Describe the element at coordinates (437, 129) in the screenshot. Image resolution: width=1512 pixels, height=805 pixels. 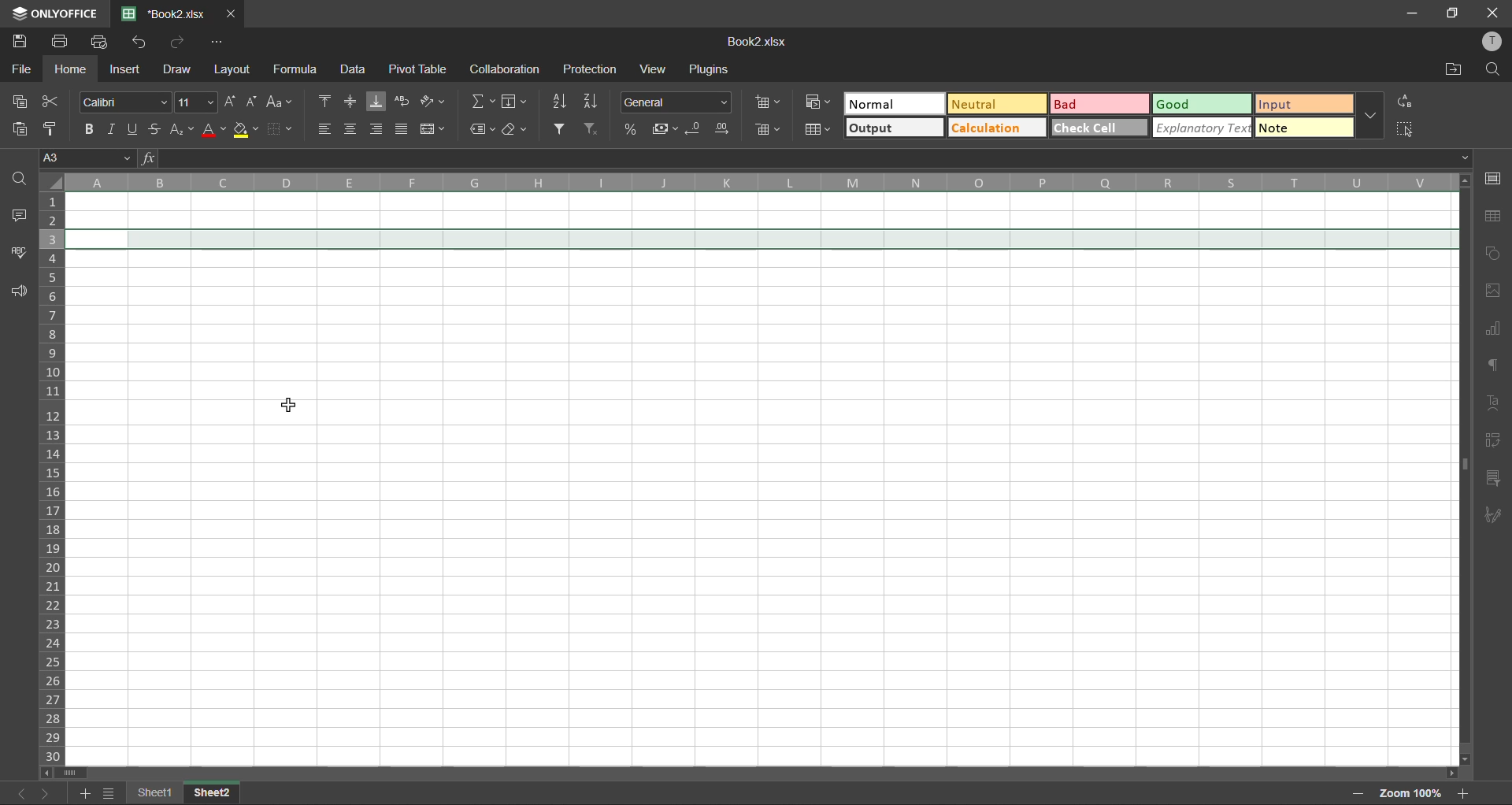
I see `merge and center` at that location.